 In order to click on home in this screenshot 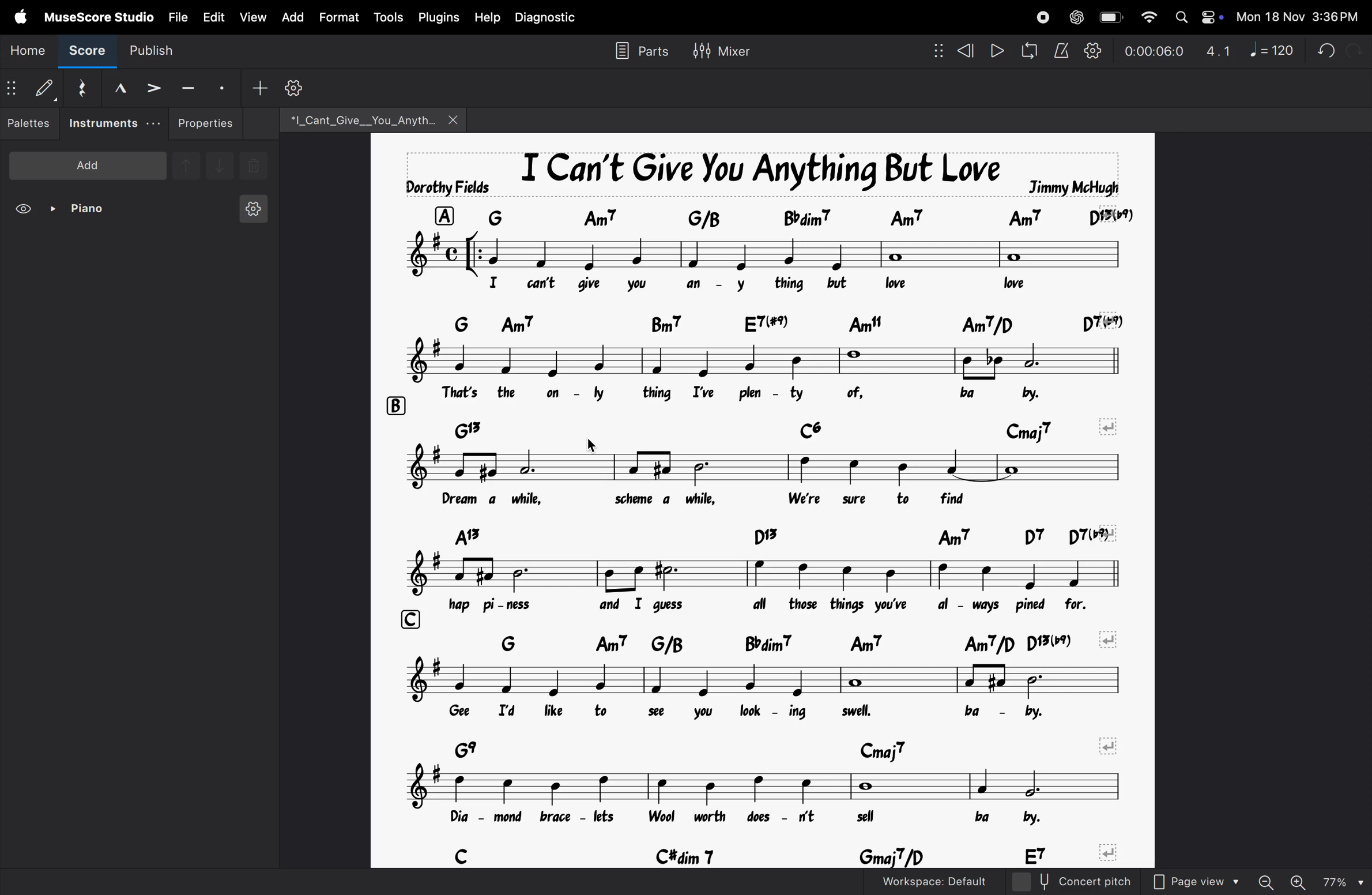, I will do `click(25, 49)`.